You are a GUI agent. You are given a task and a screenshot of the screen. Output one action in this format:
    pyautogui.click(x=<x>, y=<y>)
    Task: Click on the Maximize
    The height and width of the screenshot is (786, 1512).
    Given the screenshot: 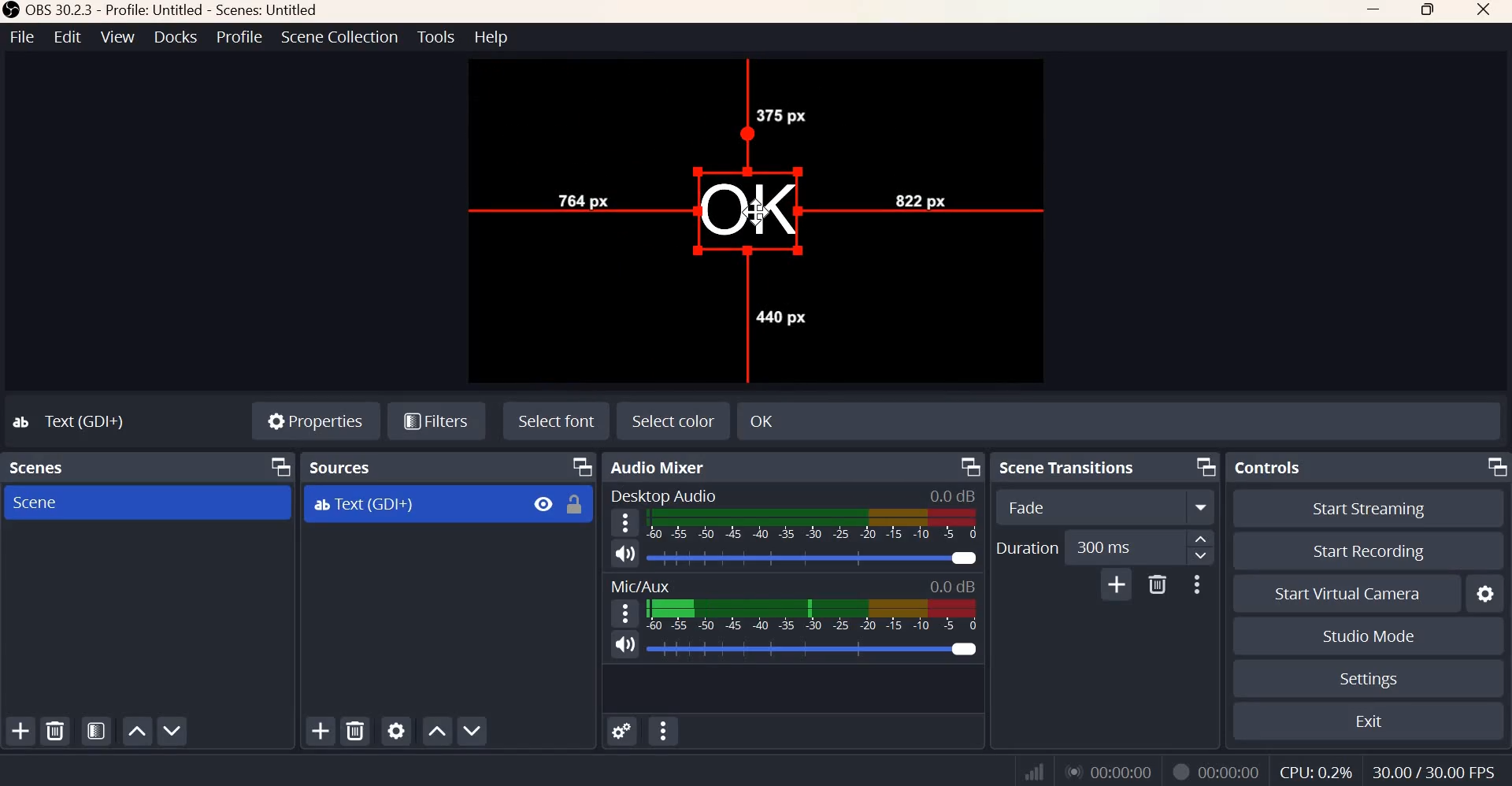 What is the action you would take?
    pyautogui.click(x=1429, y=11)
    